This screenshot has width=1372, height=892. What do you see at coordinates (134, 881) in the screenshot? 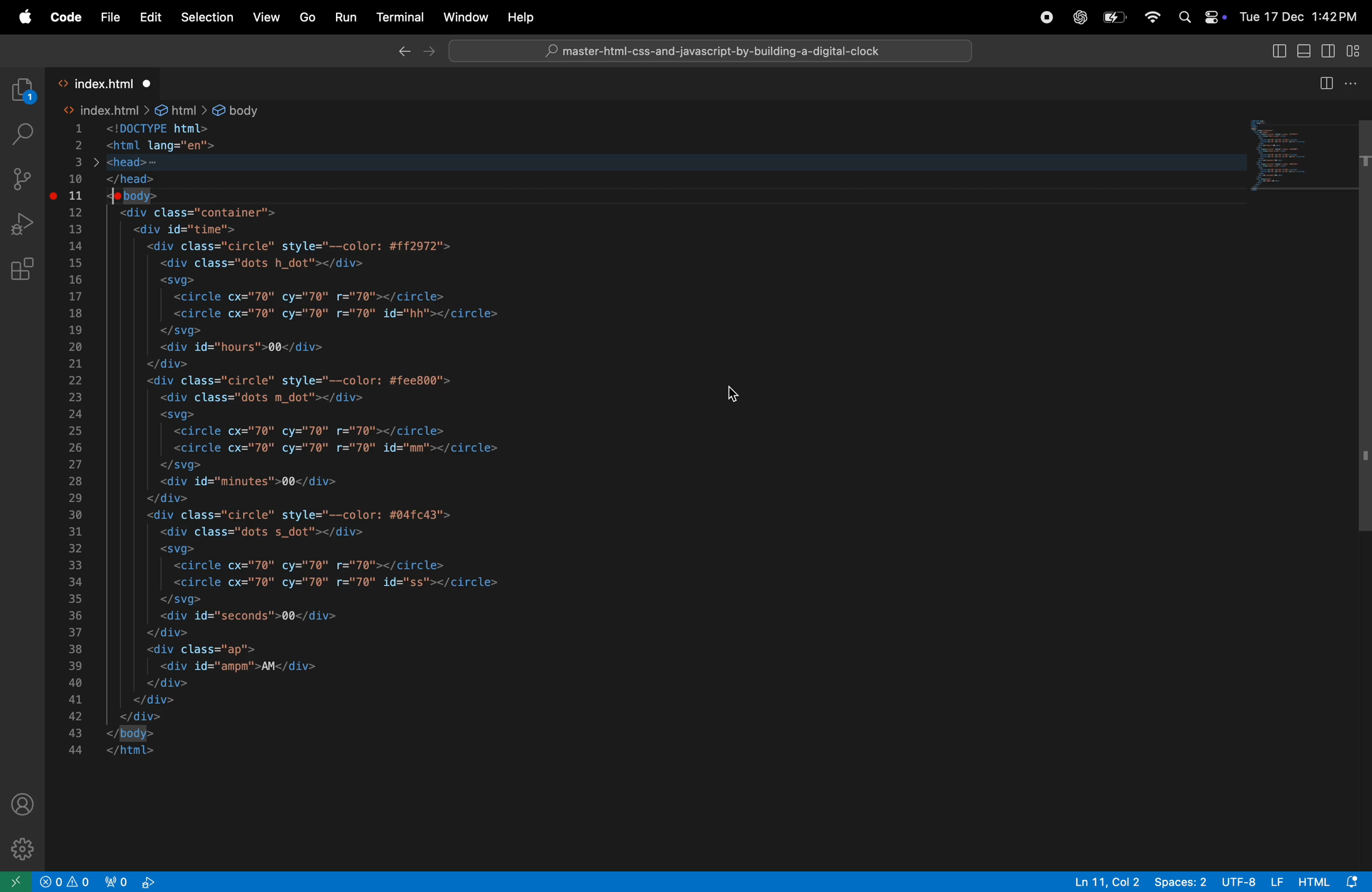
I see `view port` at bounding box center [134, 881].